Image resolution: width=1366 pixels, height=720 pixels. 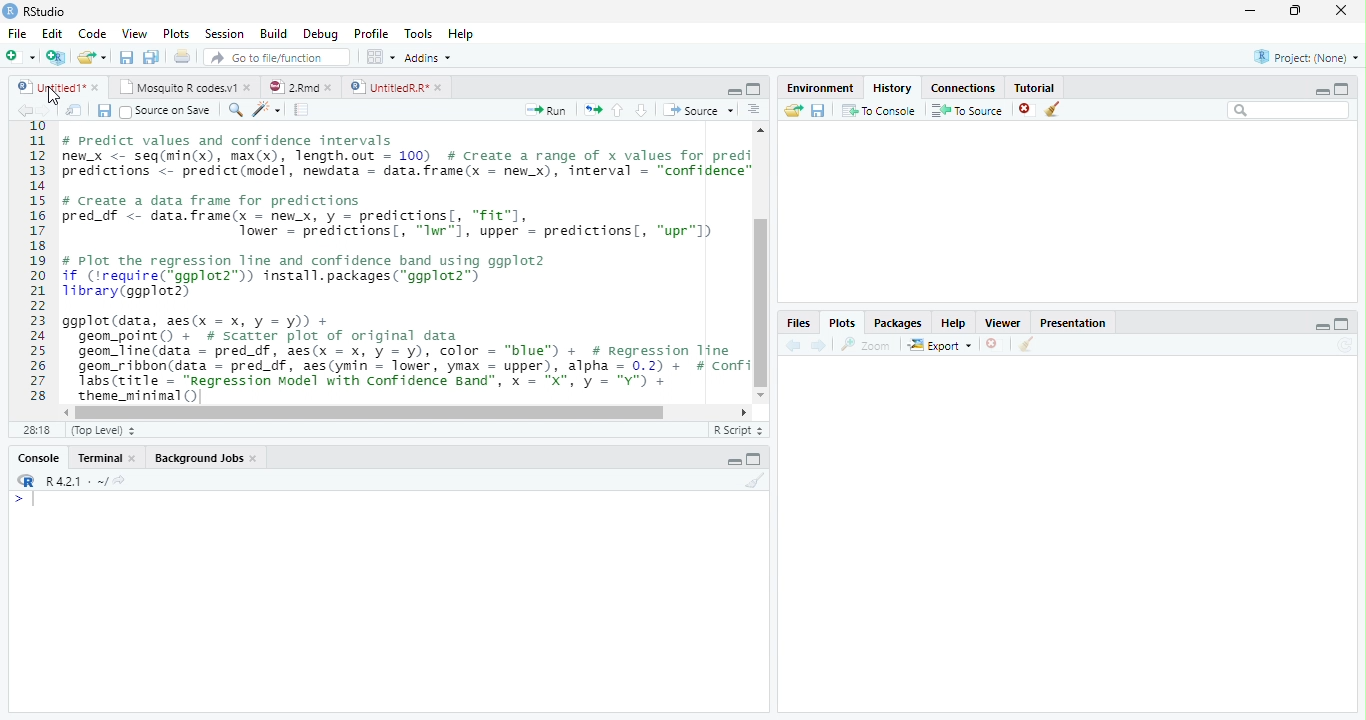 I want to click on Project (None), so click(x=1307, y=56).